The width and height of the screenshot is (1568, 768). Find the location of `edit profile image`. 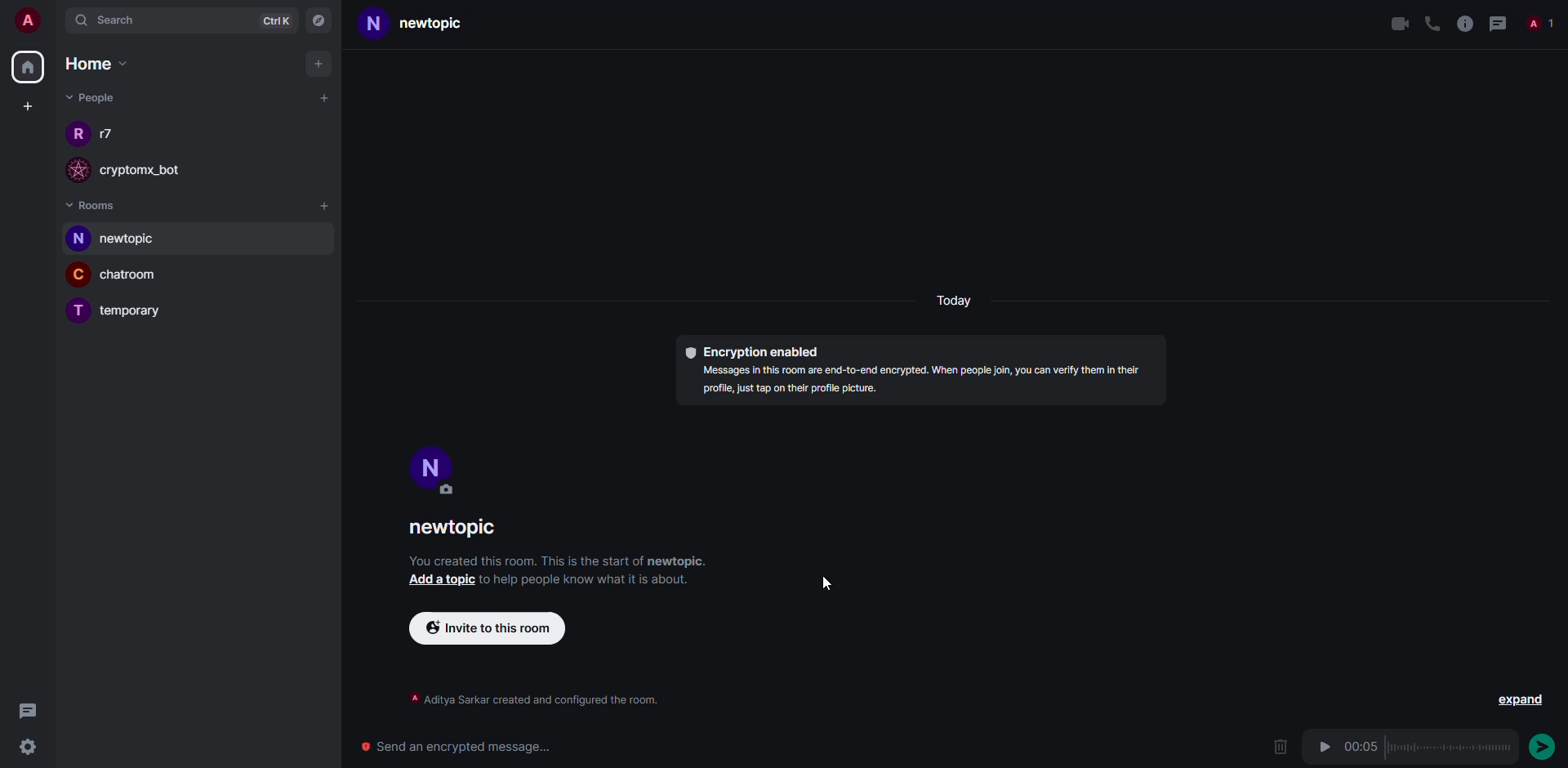

edit profile image is located at coordinates (452, 493).